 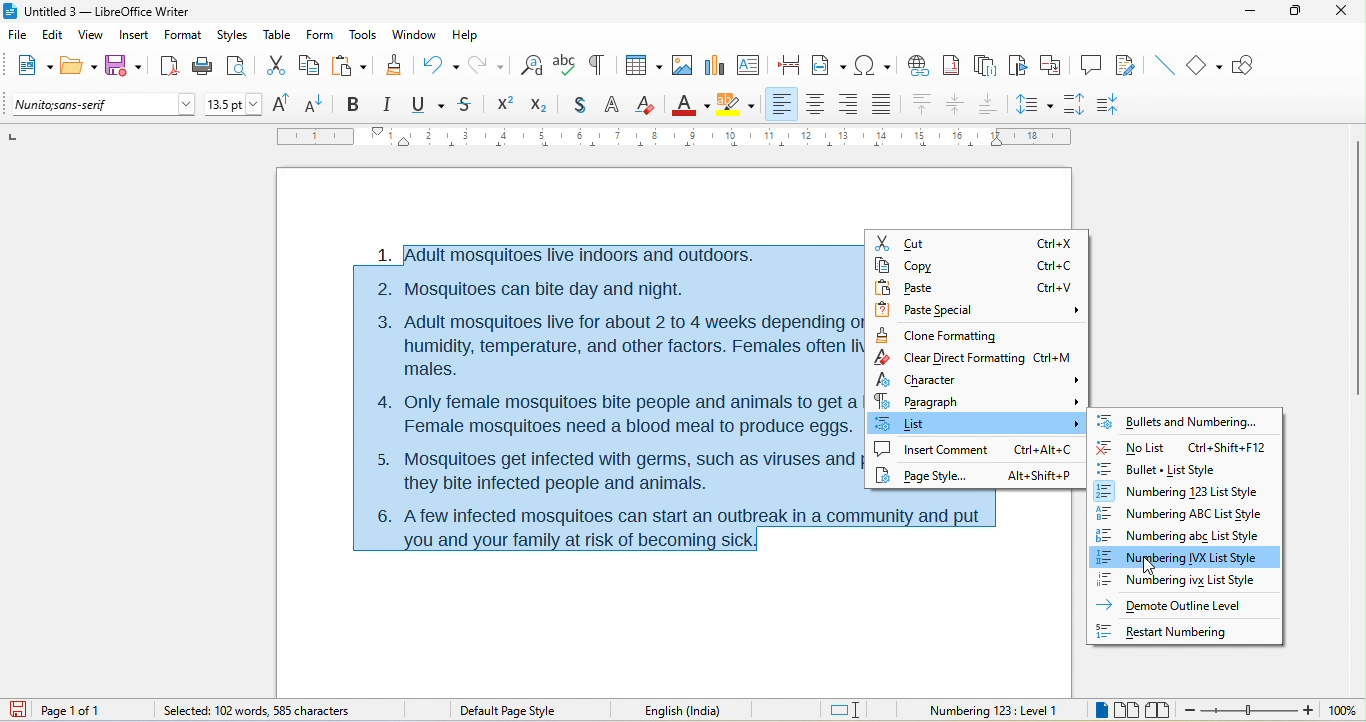 I want to click on print preview, so click(x=241, y=64).